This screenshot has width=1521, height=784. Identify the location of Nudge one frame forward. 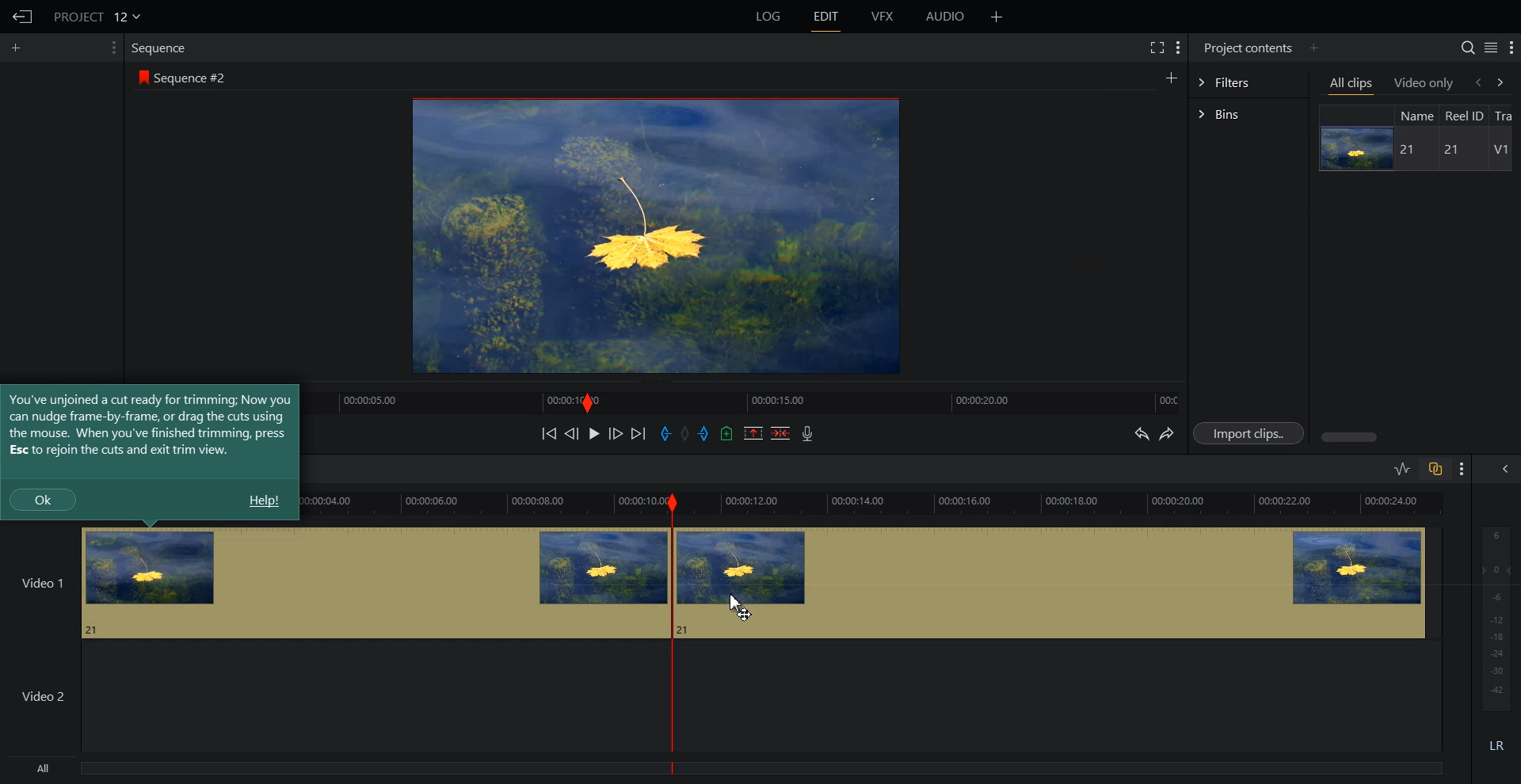
(616, 432).